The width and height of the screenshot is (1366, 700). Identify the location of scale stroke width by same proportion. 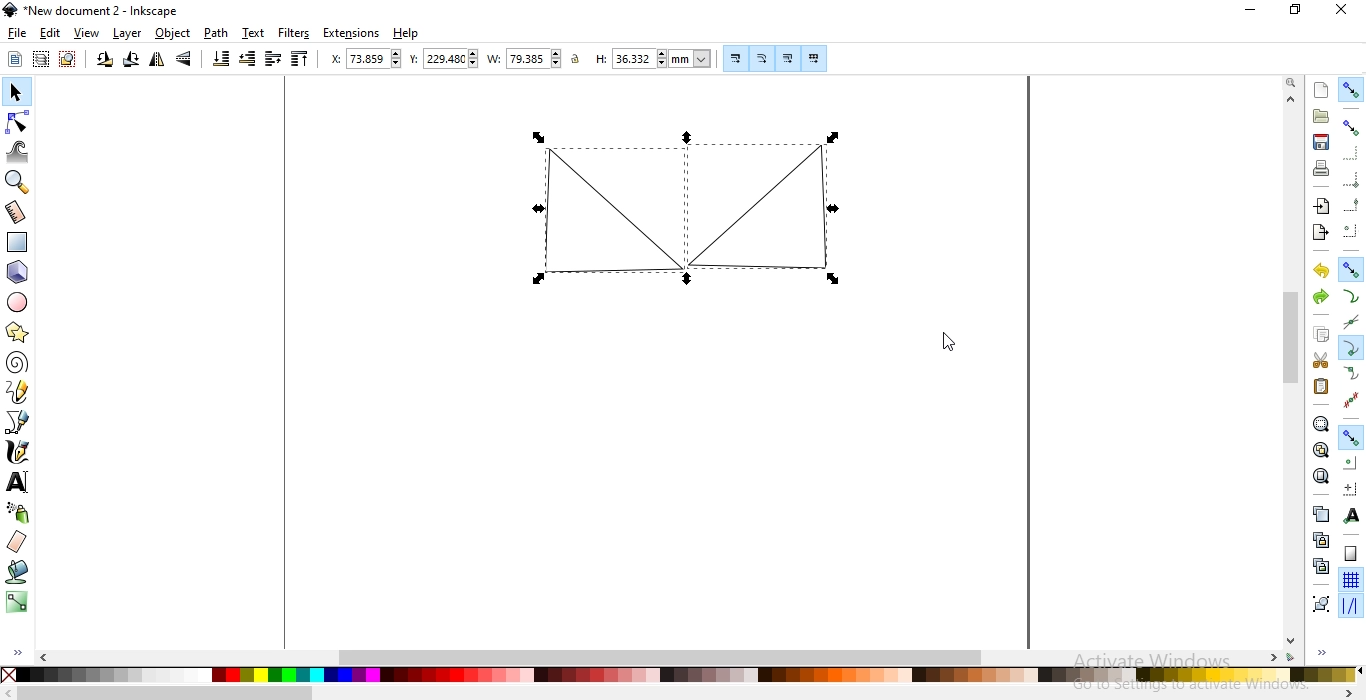
(733, 58).